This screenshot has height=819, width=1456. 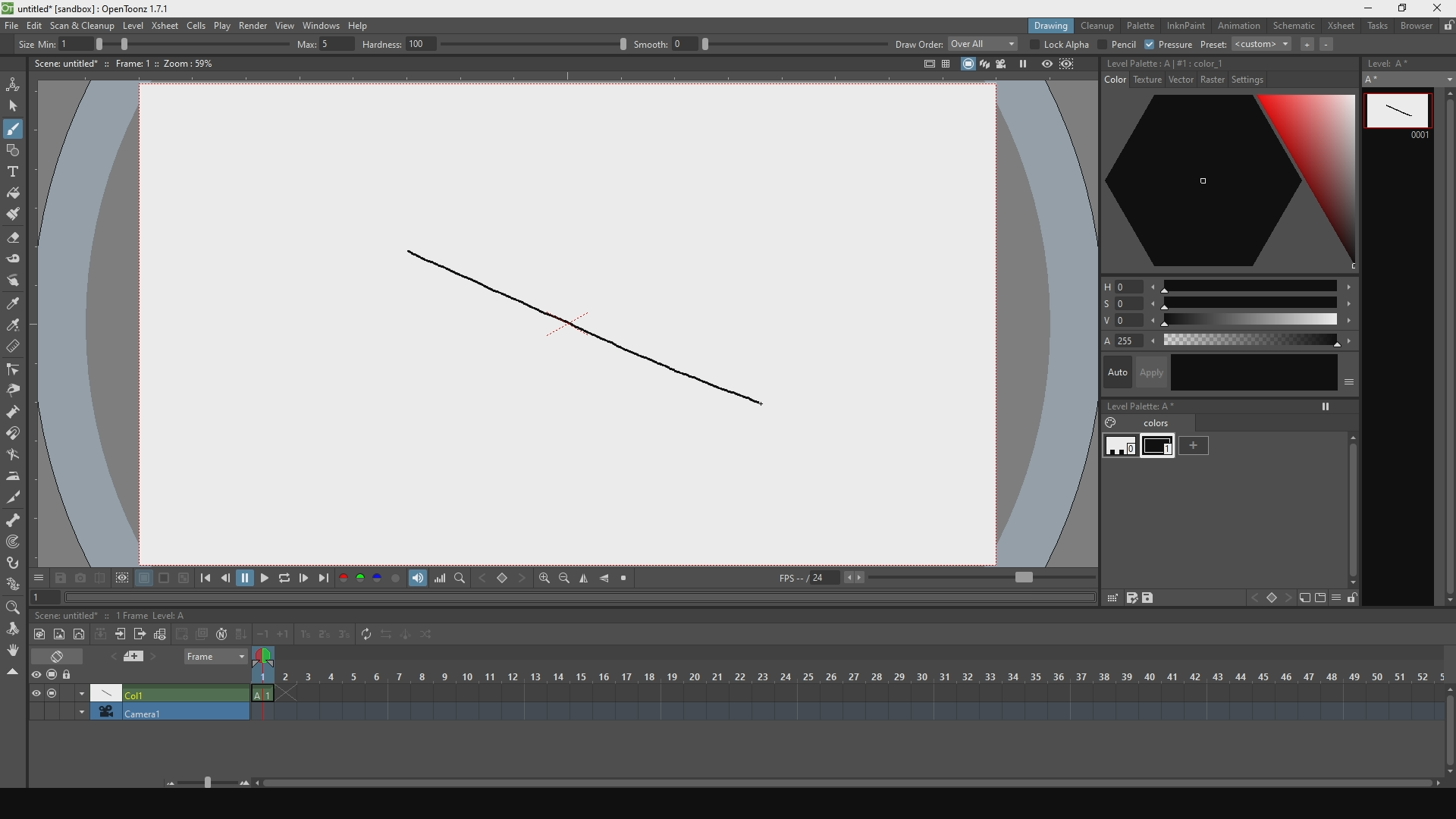 What do you see at coordinates (56, 692) in the screenshot?
I see `stop` at bounding box center [56, 692].